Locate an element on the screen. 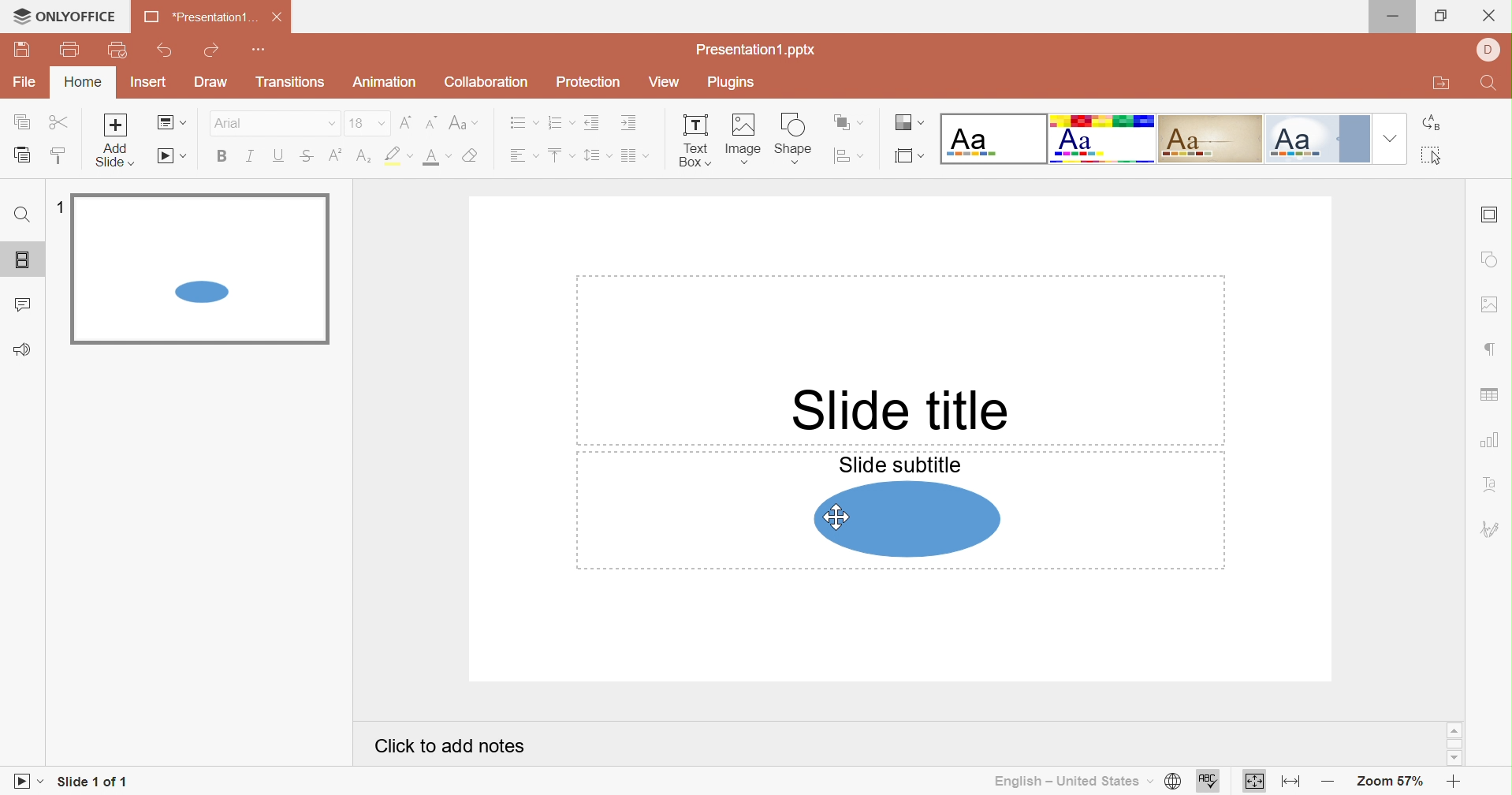  Paragraph settings is located at coordinates (1489, 349).